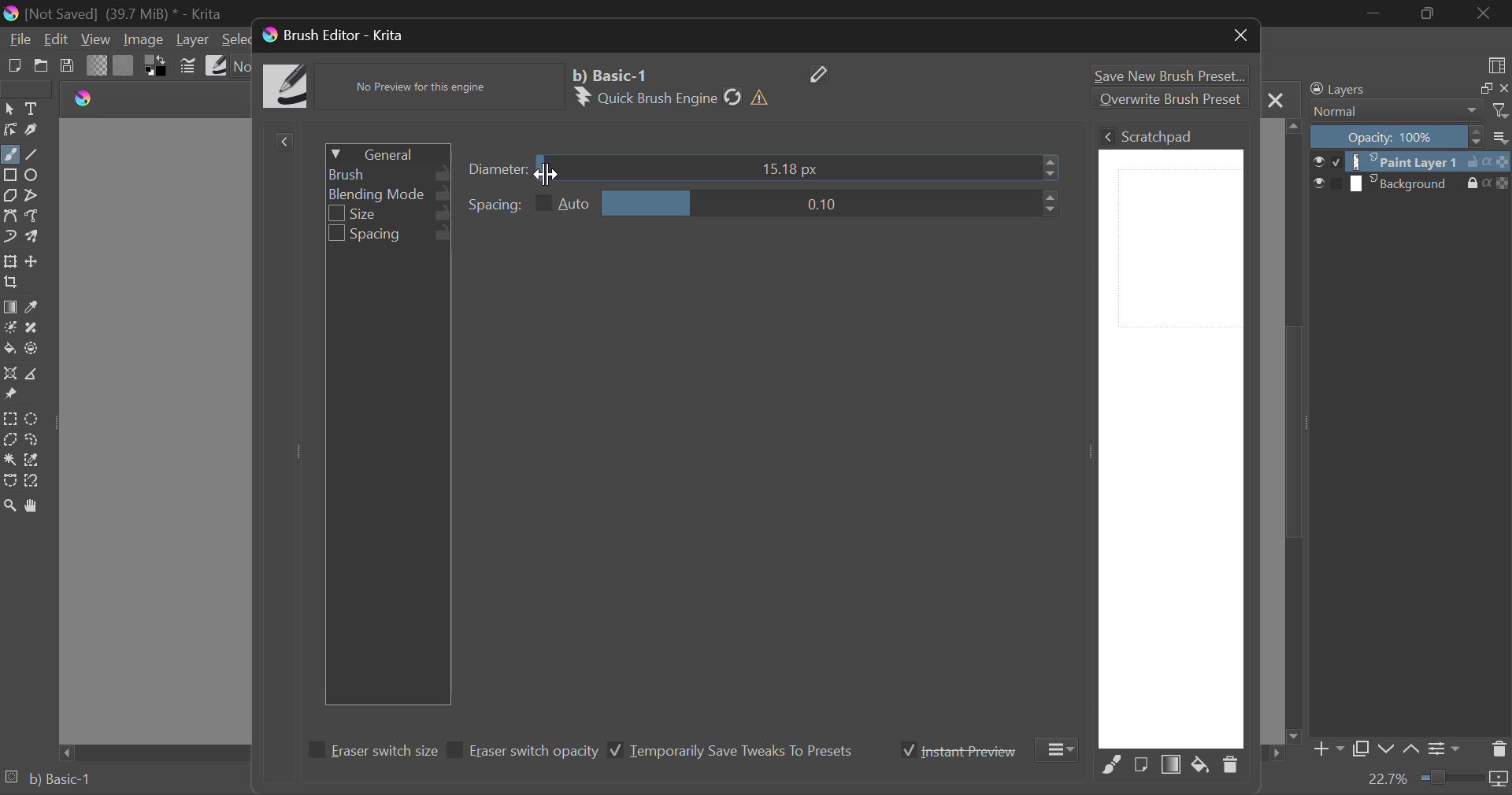 This screenshot has width=1512, height=795. I want to click on Overwrite Brush Preset, so click(1169, 98).